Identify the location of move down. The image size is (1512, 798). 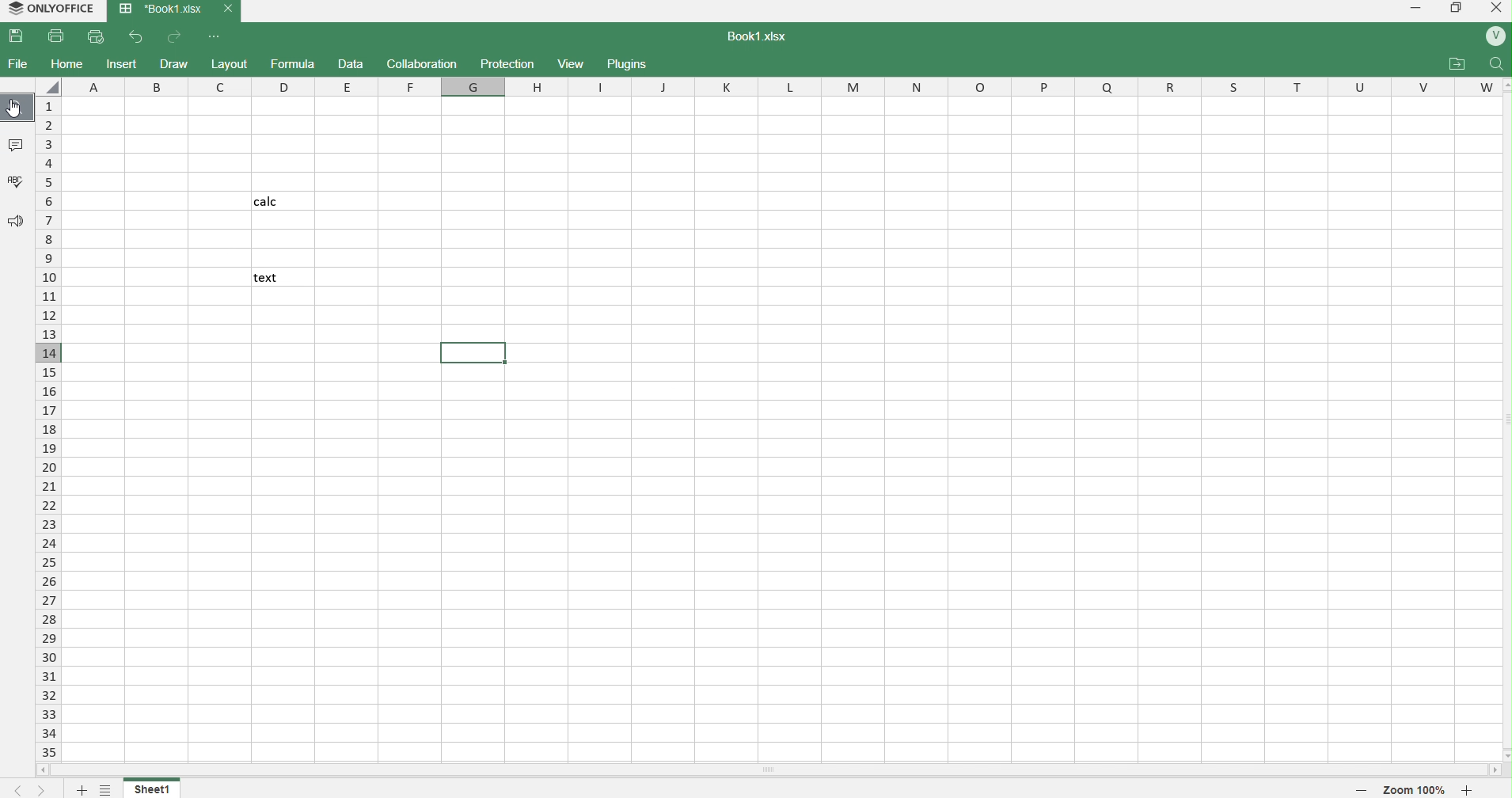
(1503, 752).